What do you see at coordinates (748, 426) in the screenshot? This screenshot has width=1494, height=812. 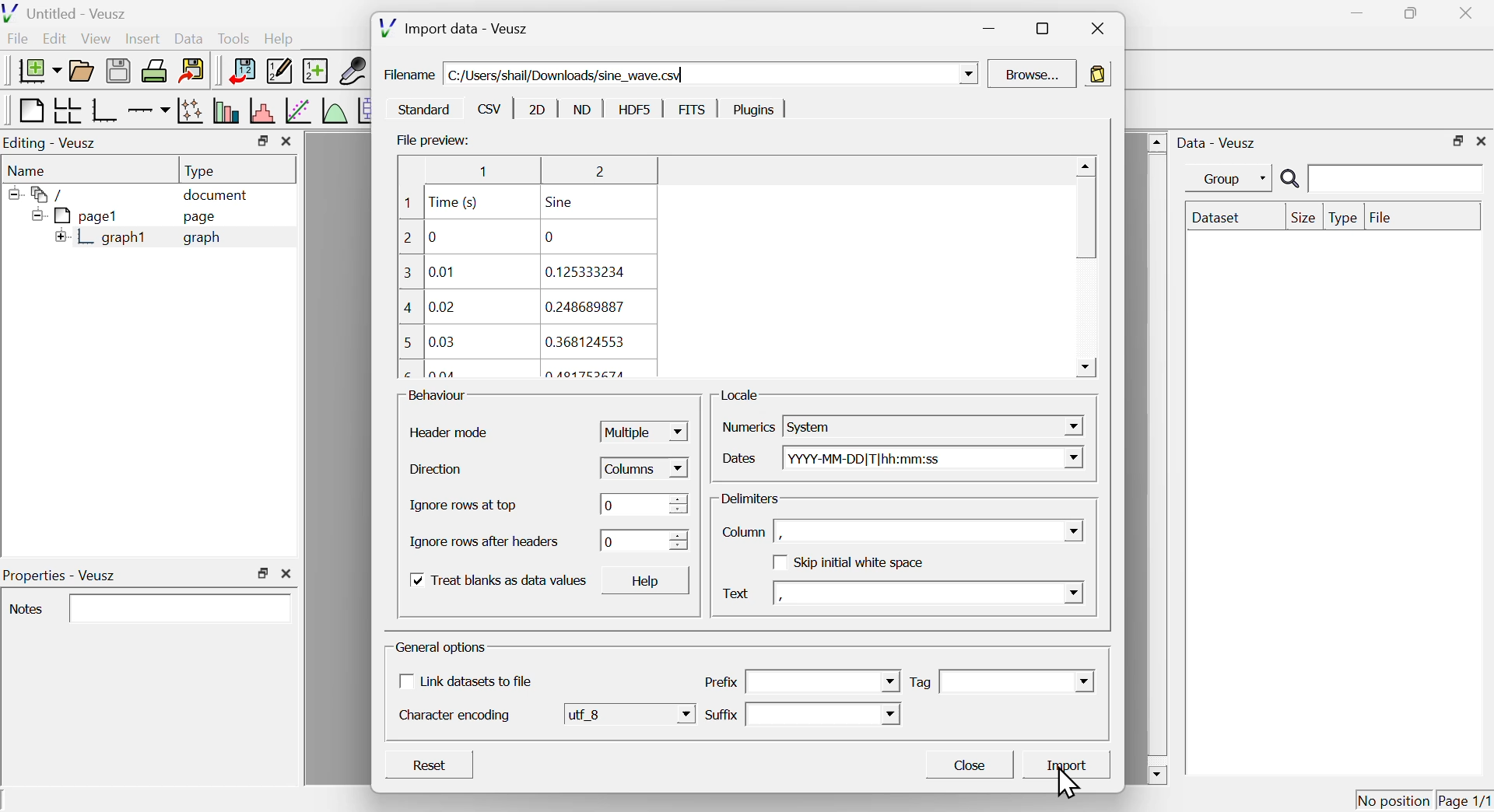 I see `Numerics` at bounding box center [748, 426].